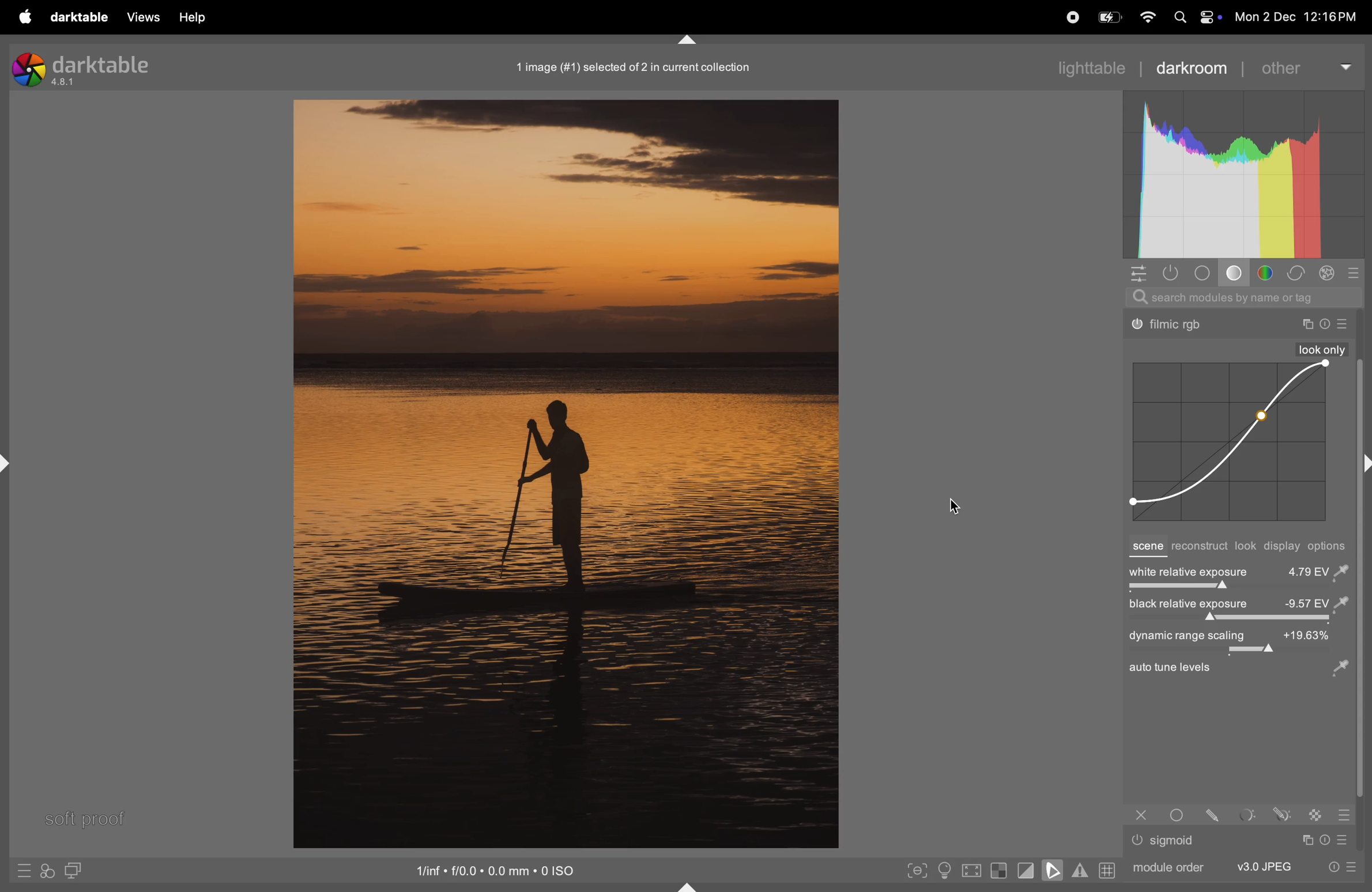 Image resolution: width=1372 pixels, height=892 pixels. What do you see at coordinates (1141, 815) in the screenshot?
I see `` at bounding box center [1141, 815].